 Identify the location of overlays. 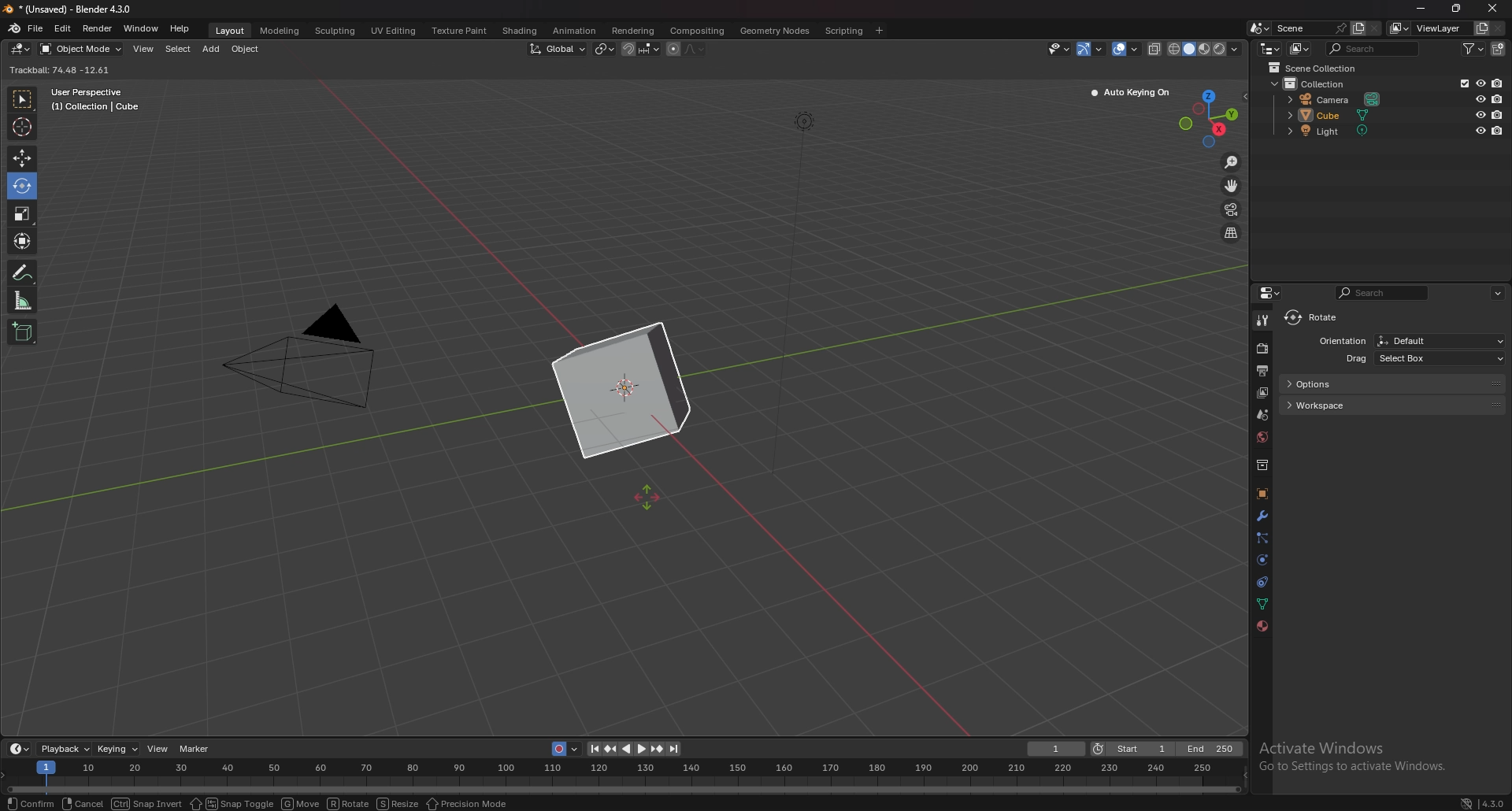
(1127, 49).